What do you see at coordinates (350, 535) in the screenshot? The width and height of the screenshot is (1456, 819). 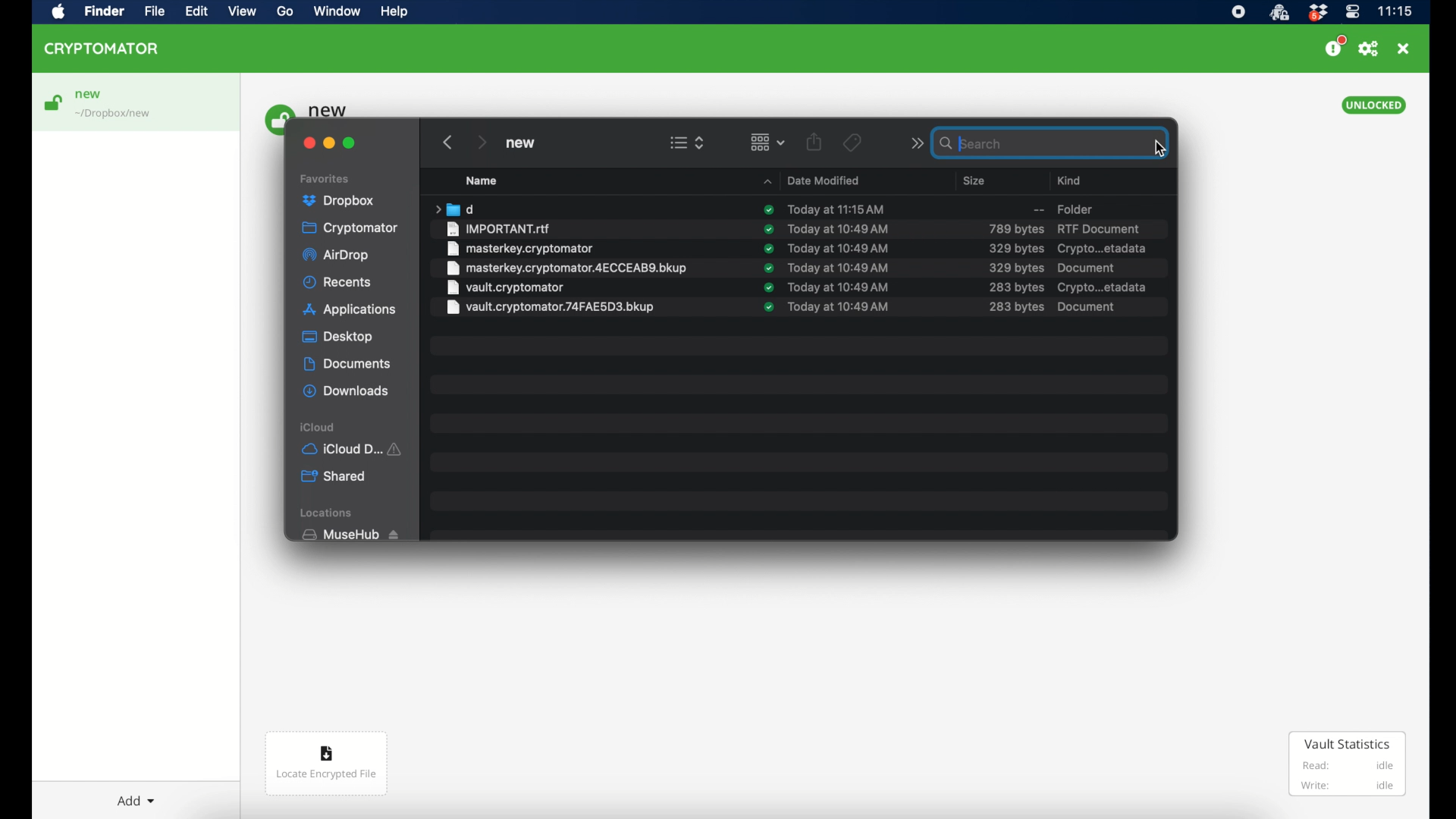 I see `muse hub` at bounding box center [350, 535].